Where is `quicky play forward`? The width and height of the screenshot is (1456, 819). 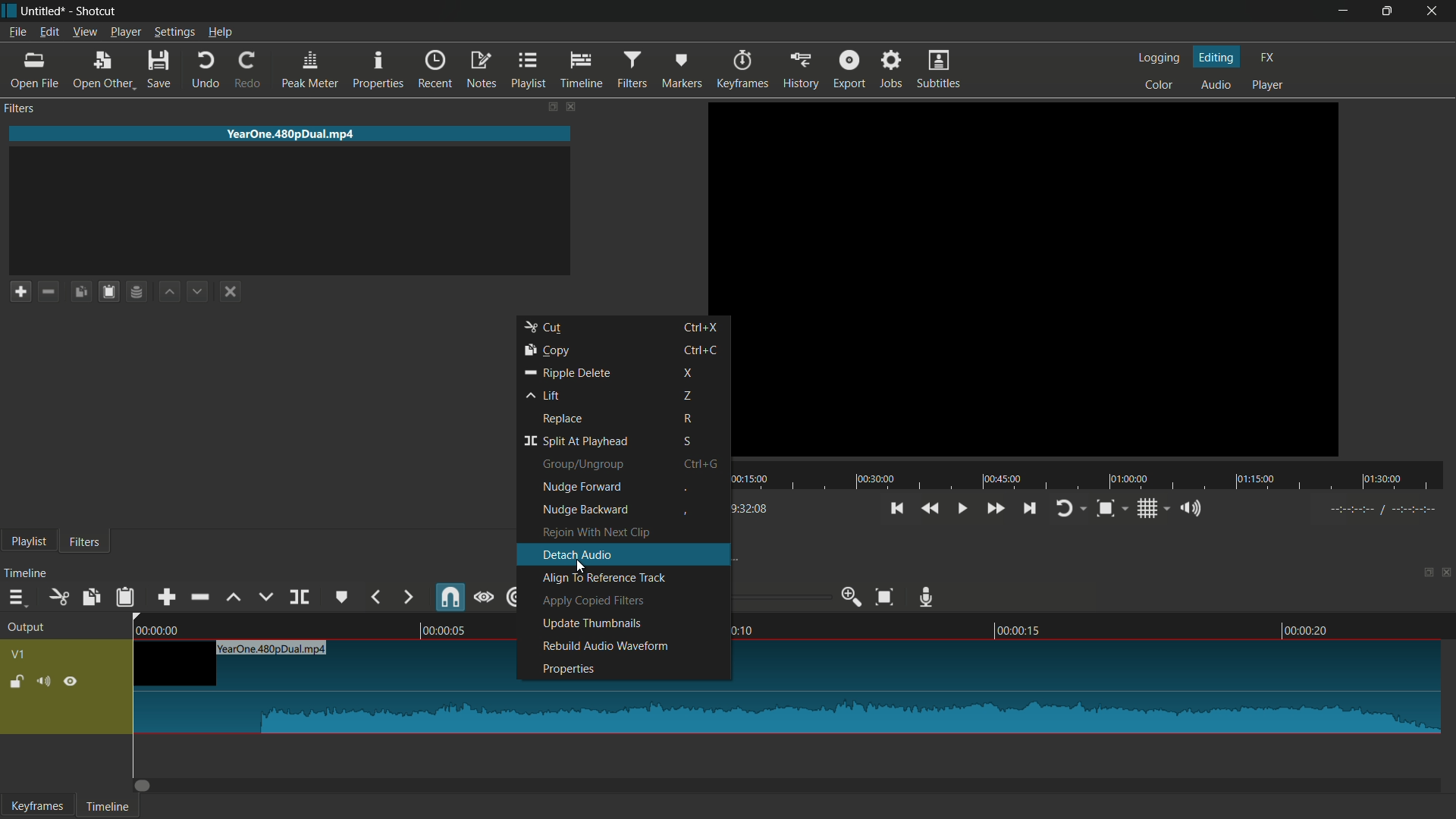
quicky play forward is located at coordinates (994, 509).